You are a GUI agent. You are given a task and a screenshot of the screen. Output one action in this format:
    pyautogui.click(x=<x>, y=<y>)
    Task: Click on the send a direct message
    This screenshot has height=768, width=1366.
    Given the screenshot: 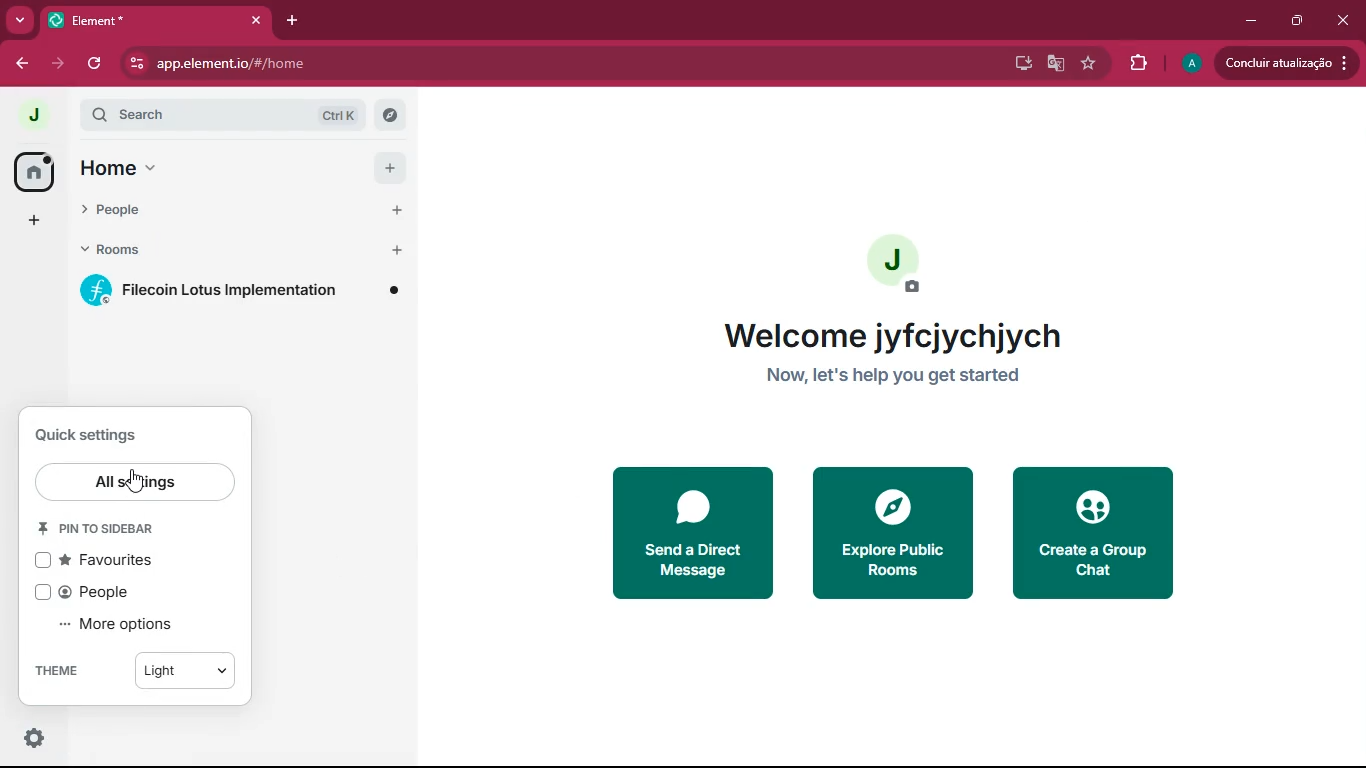 What is the action you would take?
    pyautogui.click(x=696, y=532)
    